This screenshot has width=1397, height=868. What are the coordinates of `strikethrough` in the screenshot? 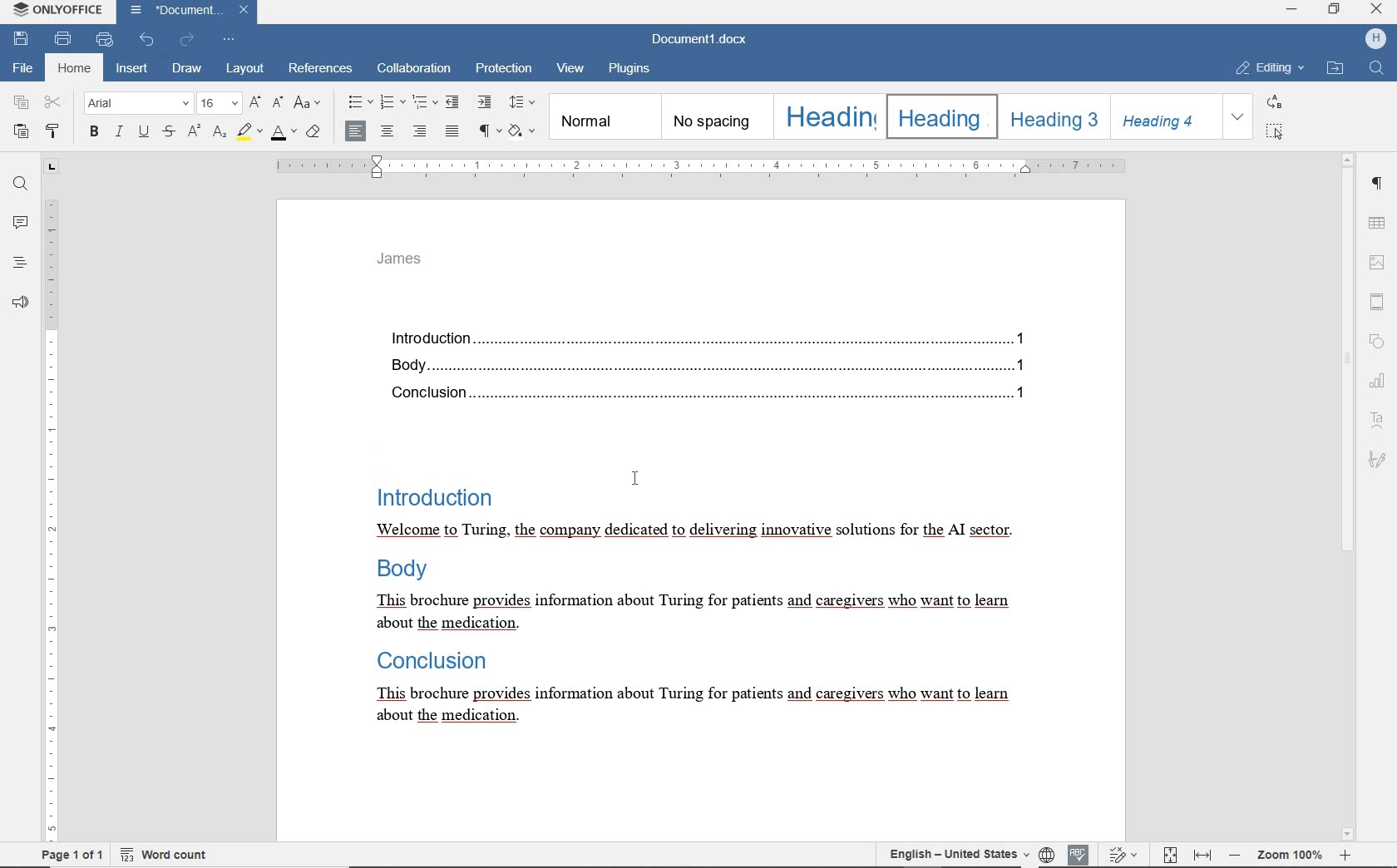 It's located at (169, 133).